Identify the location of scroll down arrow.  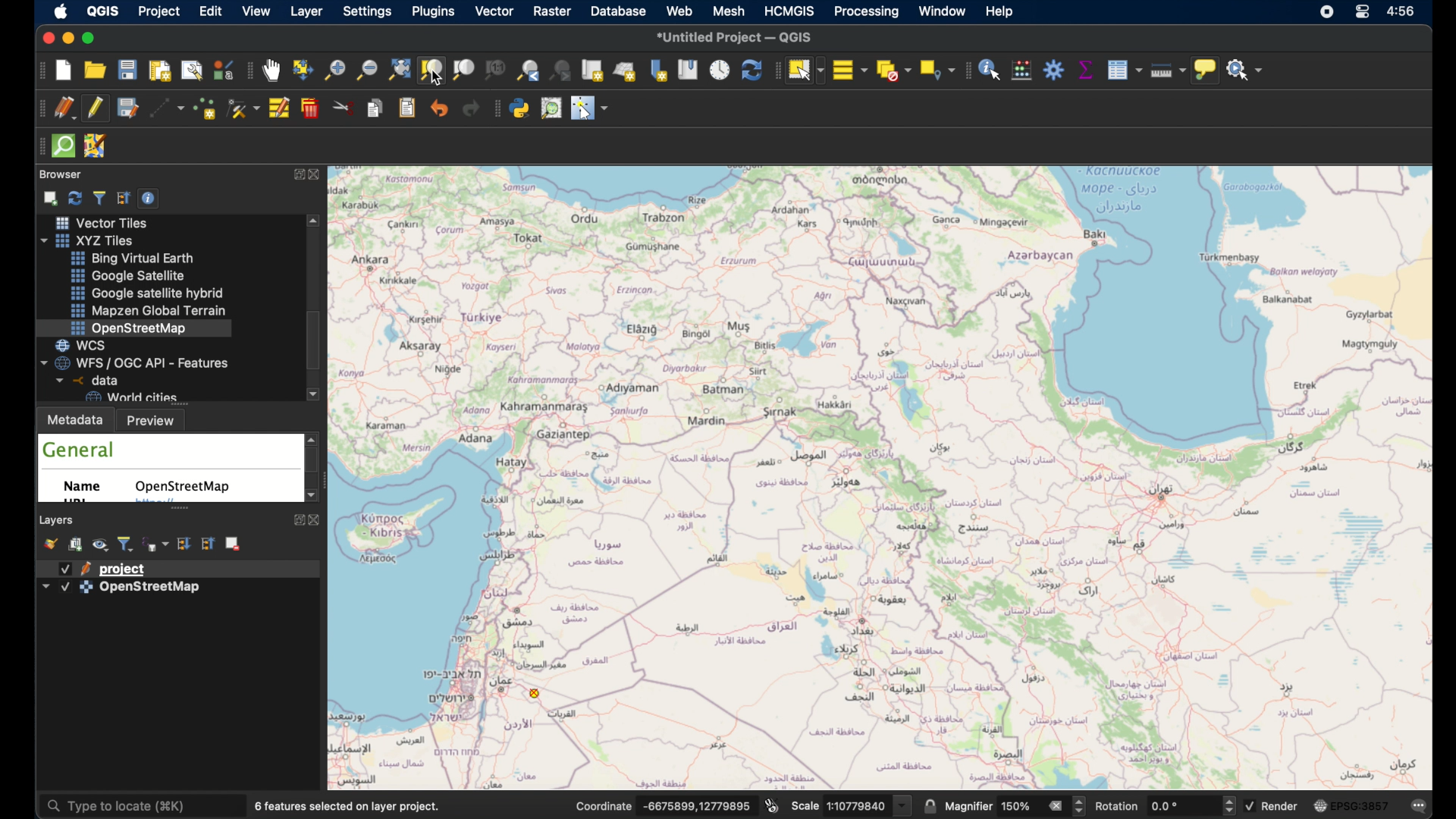
(309, 497).